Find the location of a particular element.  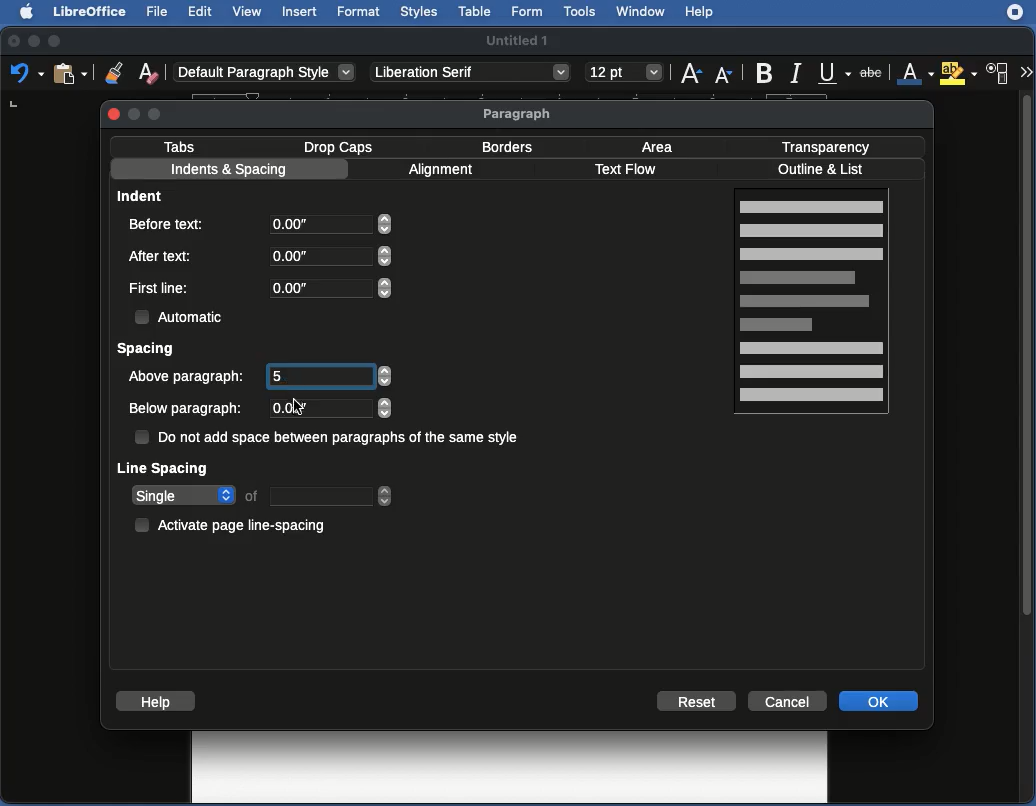

Above paragraph is located at coordinates (189, 376).